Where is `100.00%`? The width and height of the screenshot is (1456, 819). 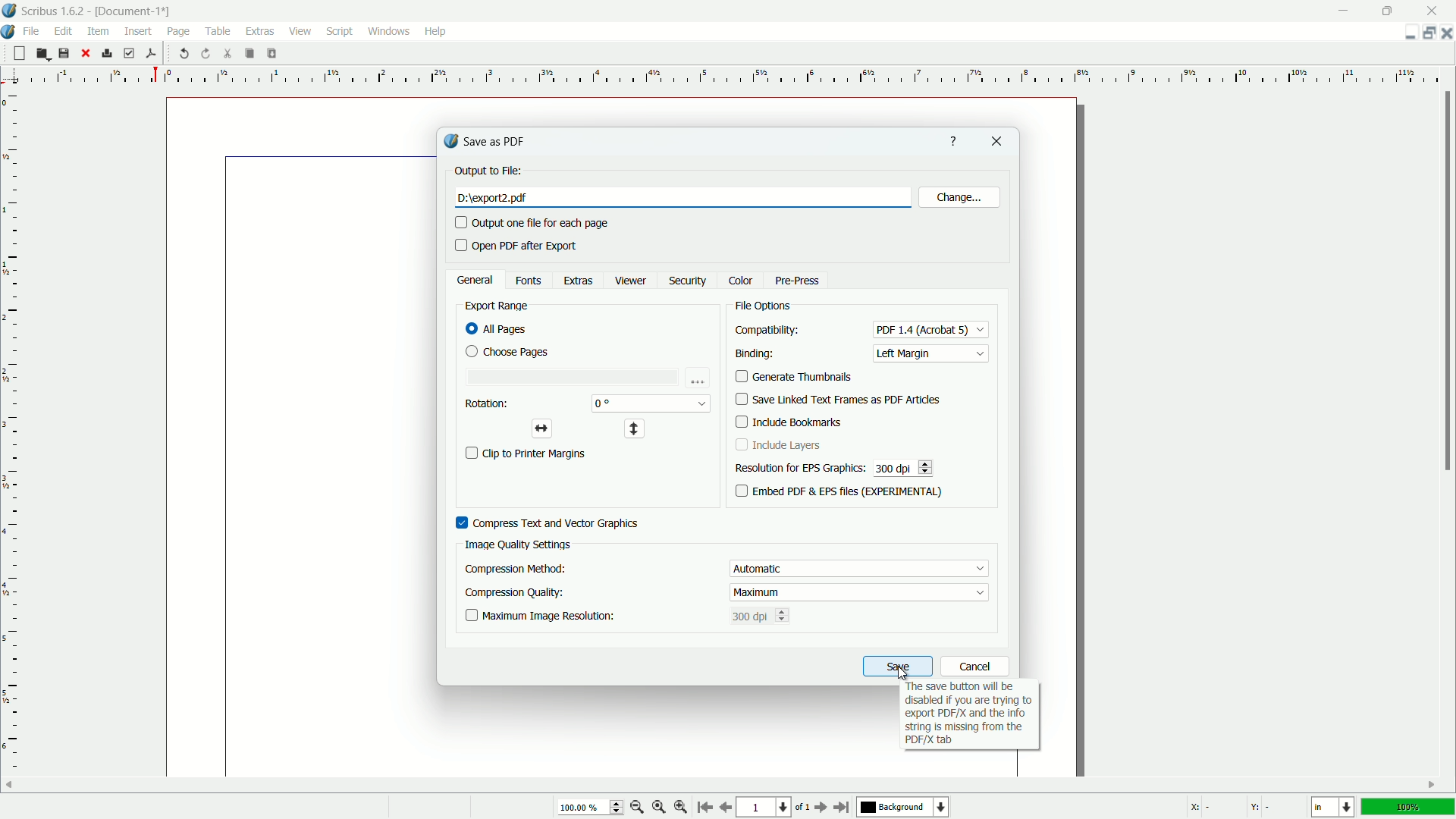 100.00% is located at coordinates (592, 808).